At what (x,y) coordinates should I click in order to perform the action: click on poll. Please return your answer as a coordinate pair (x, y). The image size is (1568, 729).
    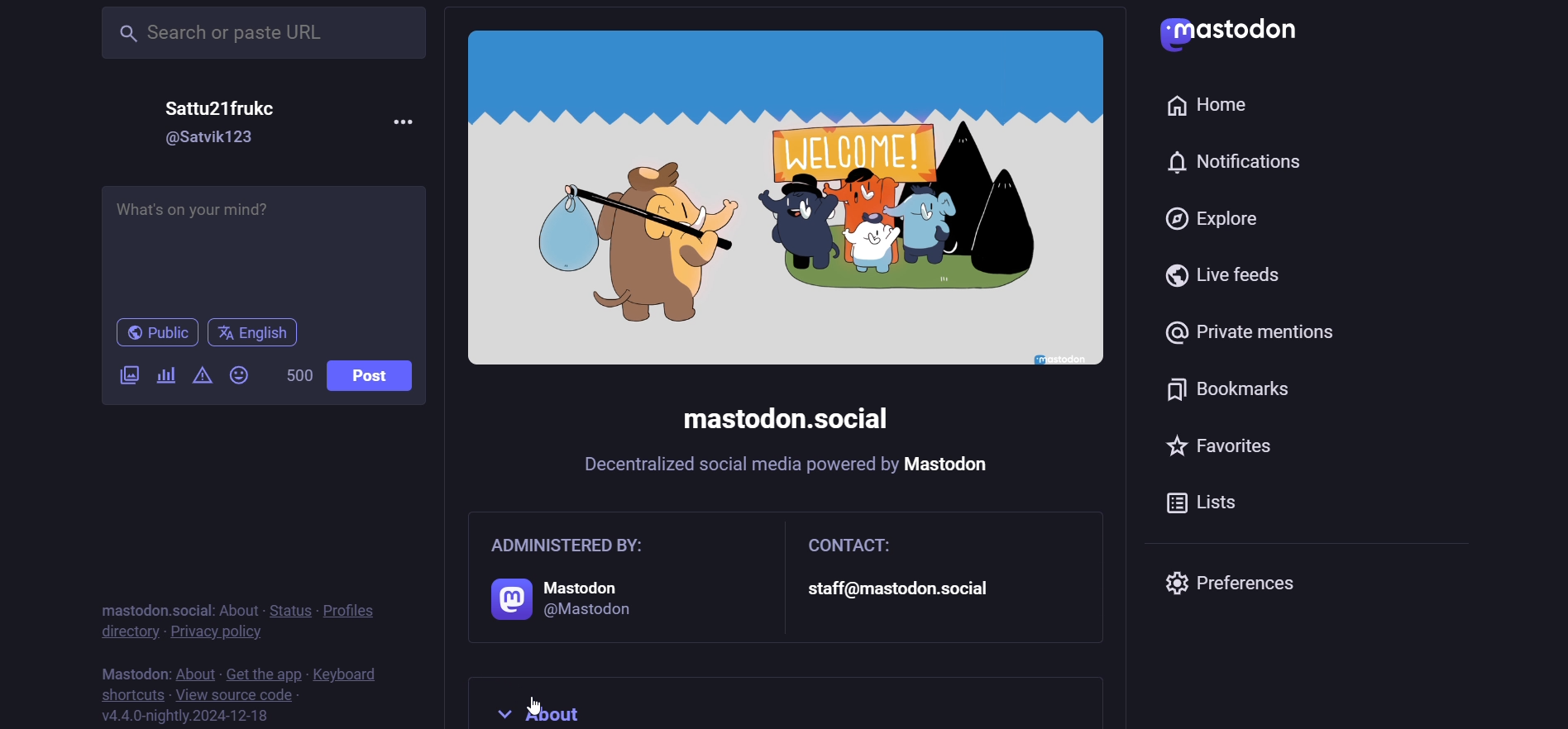
    Looking at the image, I should click on (165, 378).